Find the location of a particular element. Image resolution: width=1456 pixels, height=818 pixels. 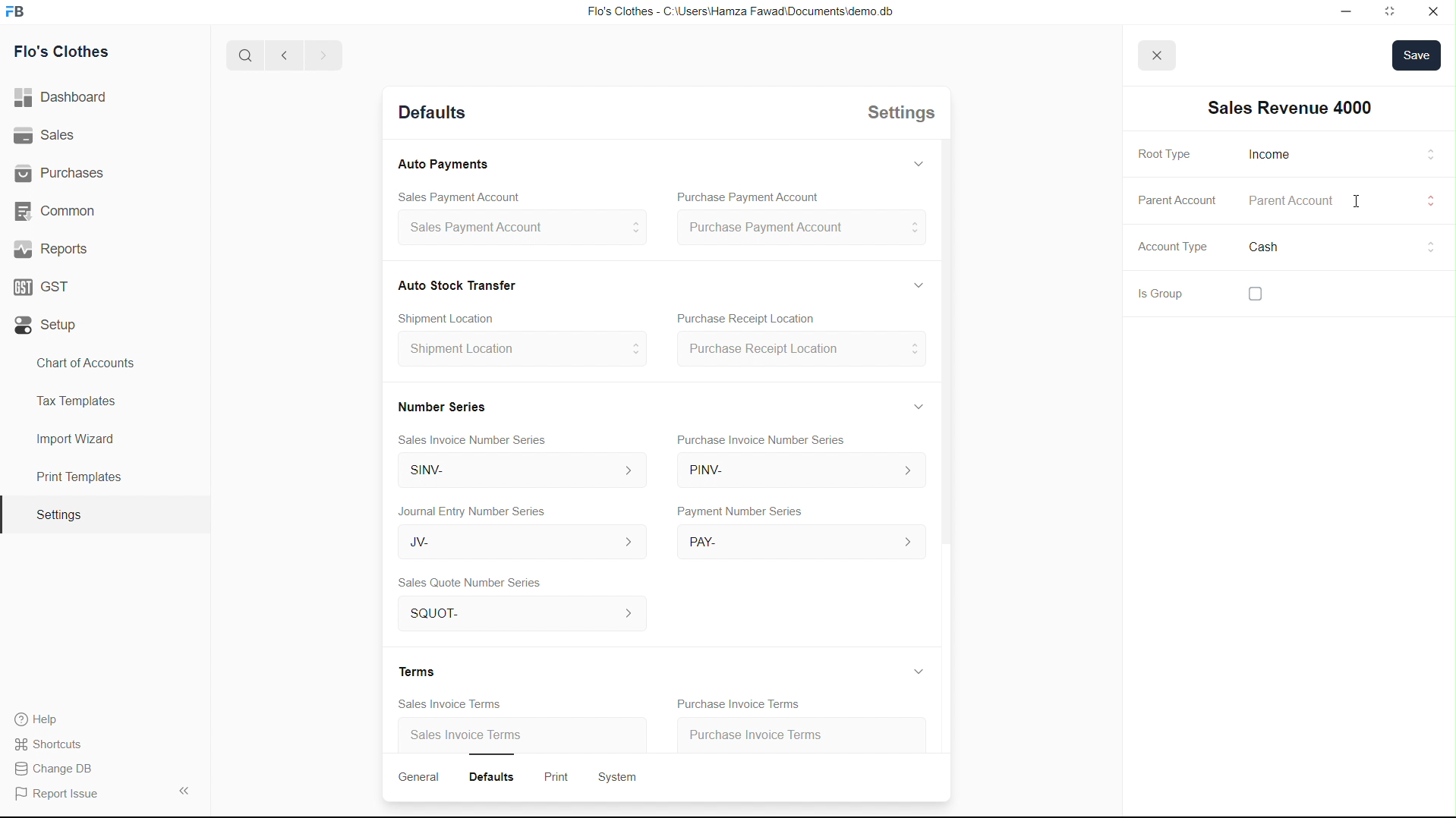

Flo's Clothes is located at coordinates (68, 54).